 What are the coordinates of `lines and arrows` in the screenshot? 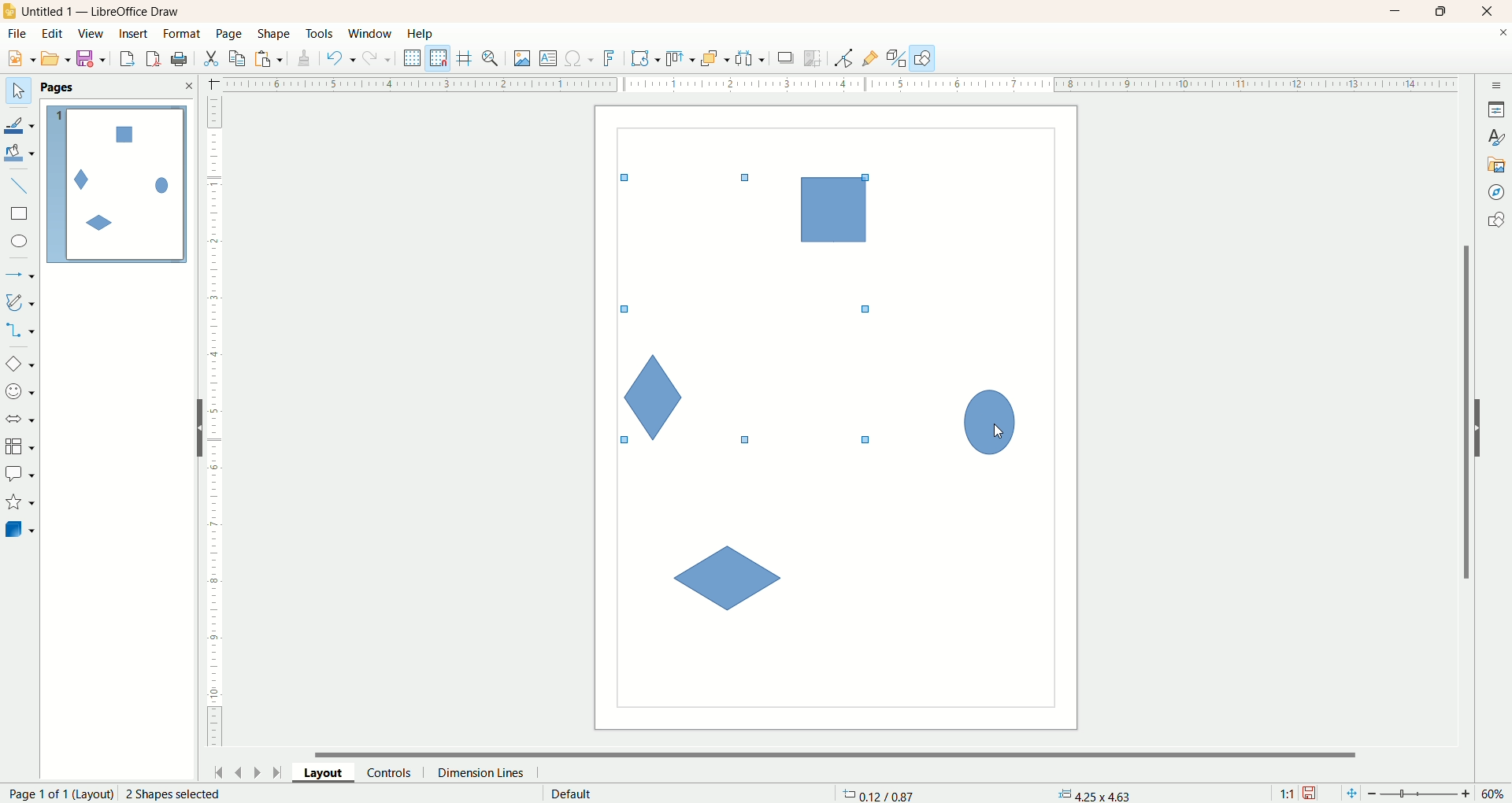 It's located at (21, 276).